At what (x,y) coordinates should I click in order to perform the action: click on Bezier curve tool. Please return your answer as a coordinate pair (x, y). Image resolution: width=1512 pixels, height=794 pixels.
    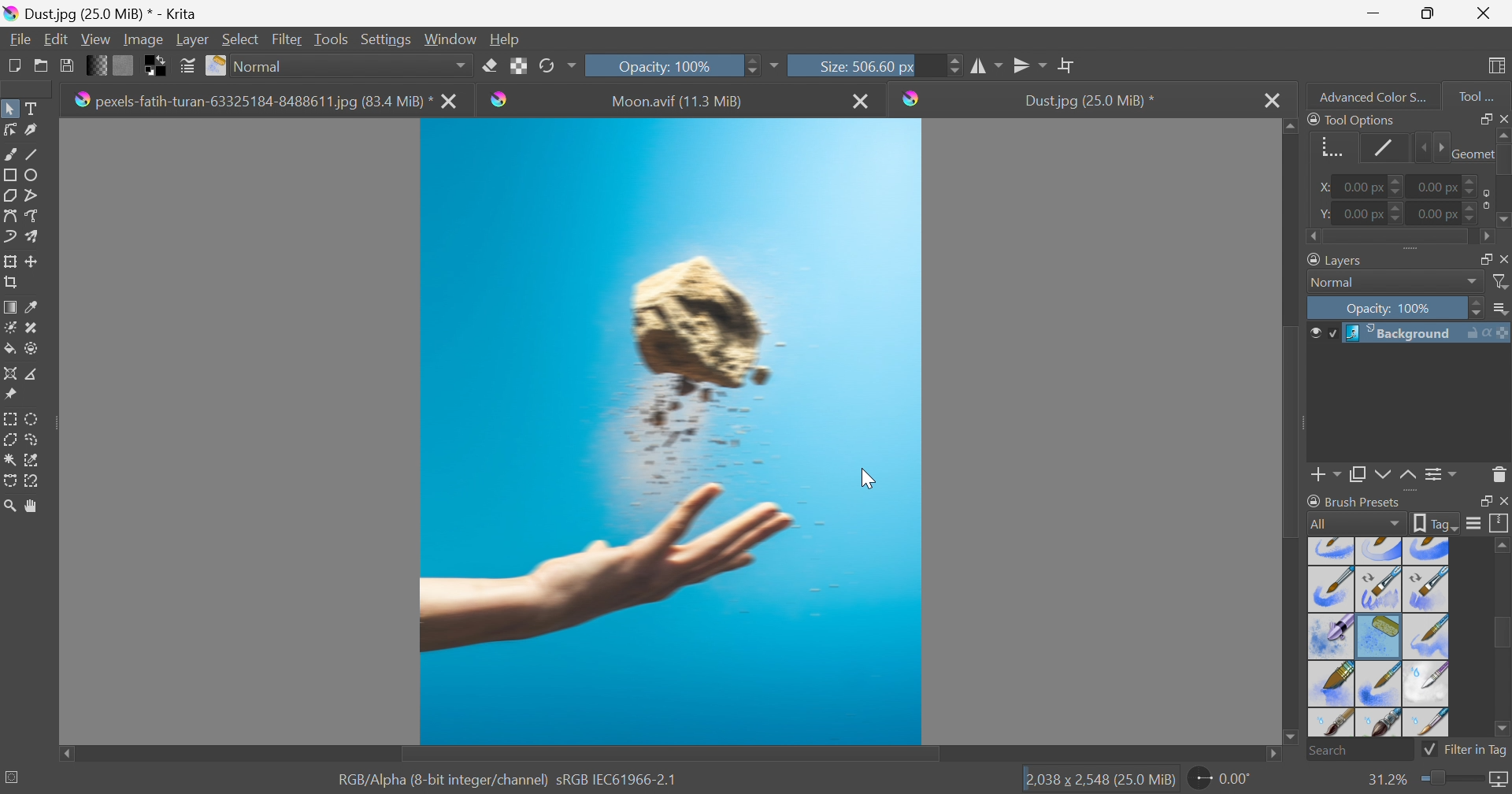
    Looking at the image, I should click on (9, 216).